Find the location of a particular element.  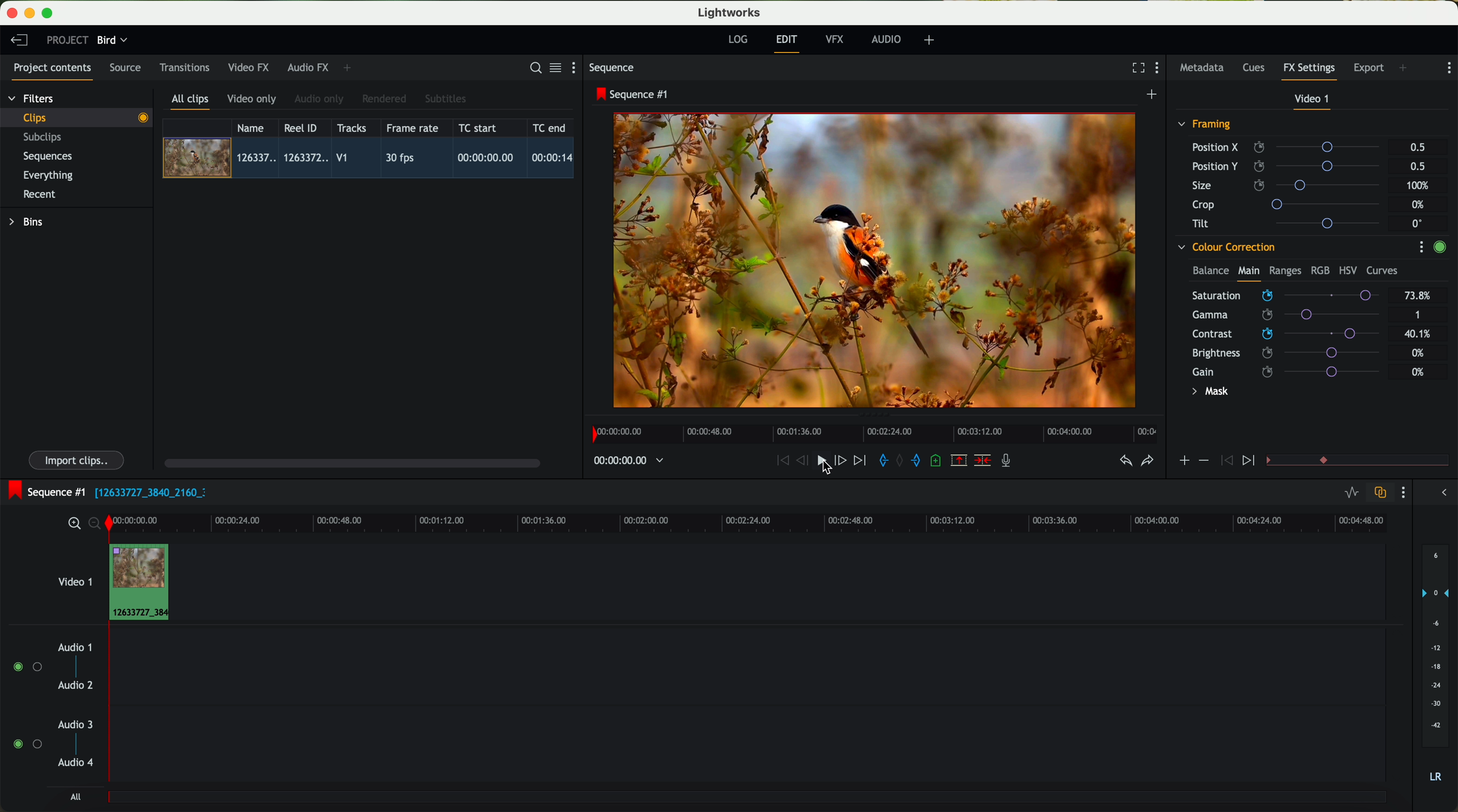

toggle auto track sync is located at coordinates (1378, 493).